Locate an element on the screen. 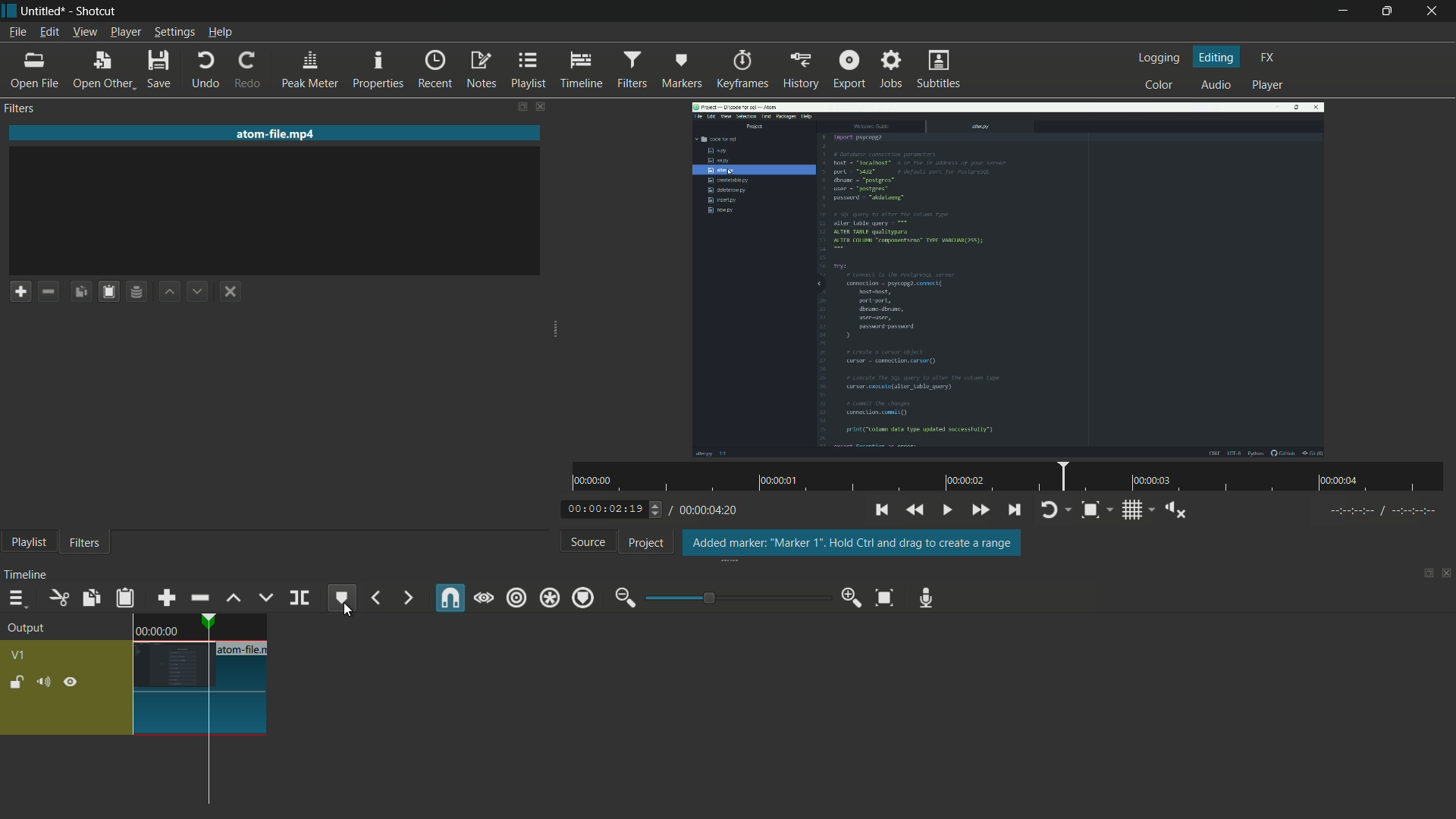 The height and width of the screenshot is (819, 1456). copy checked filters is located at coordinates (107, 291).